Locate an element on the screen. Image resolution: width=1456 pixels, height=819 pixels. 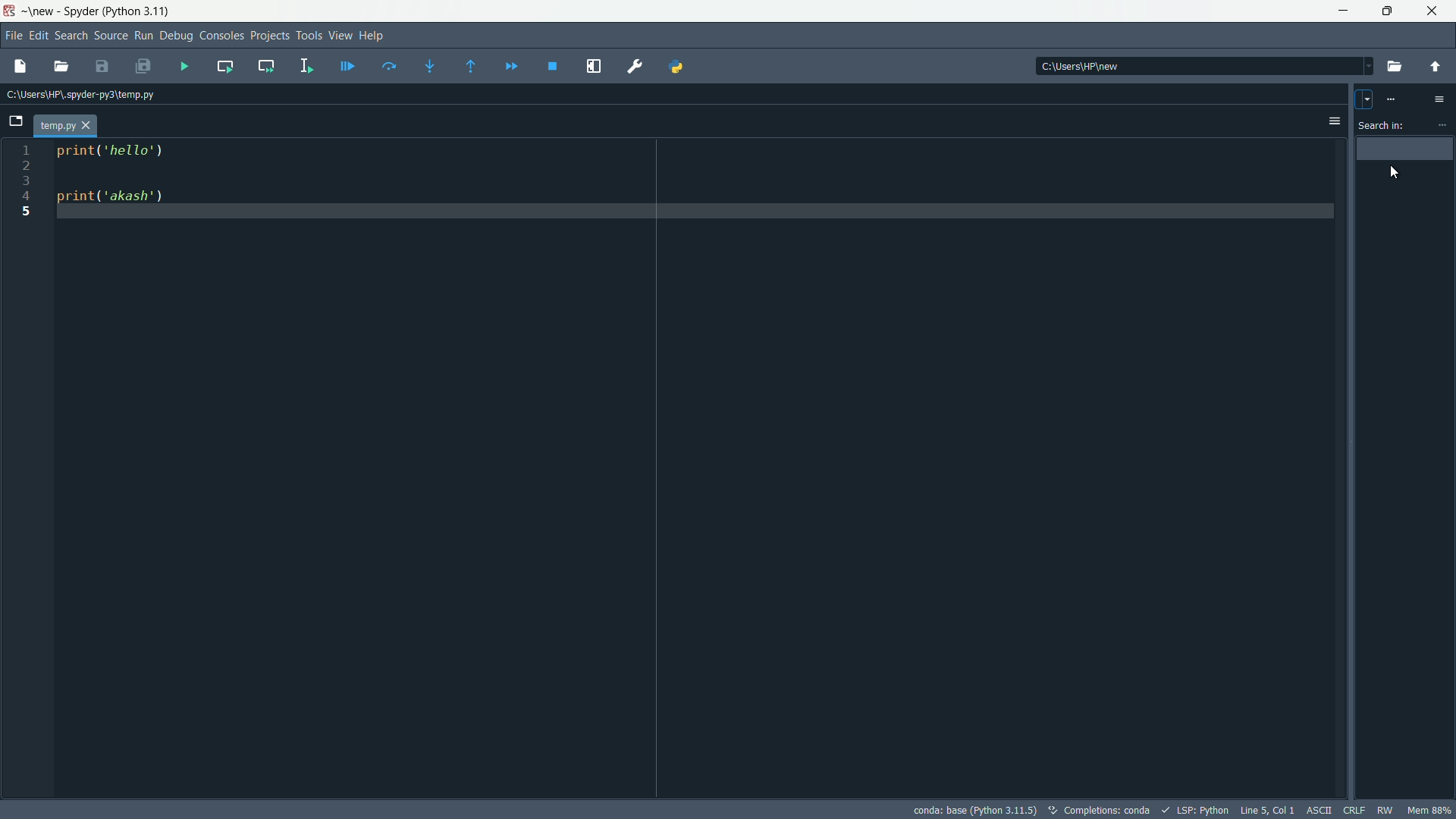
completions: conda is located at coordinates (1058, 808).